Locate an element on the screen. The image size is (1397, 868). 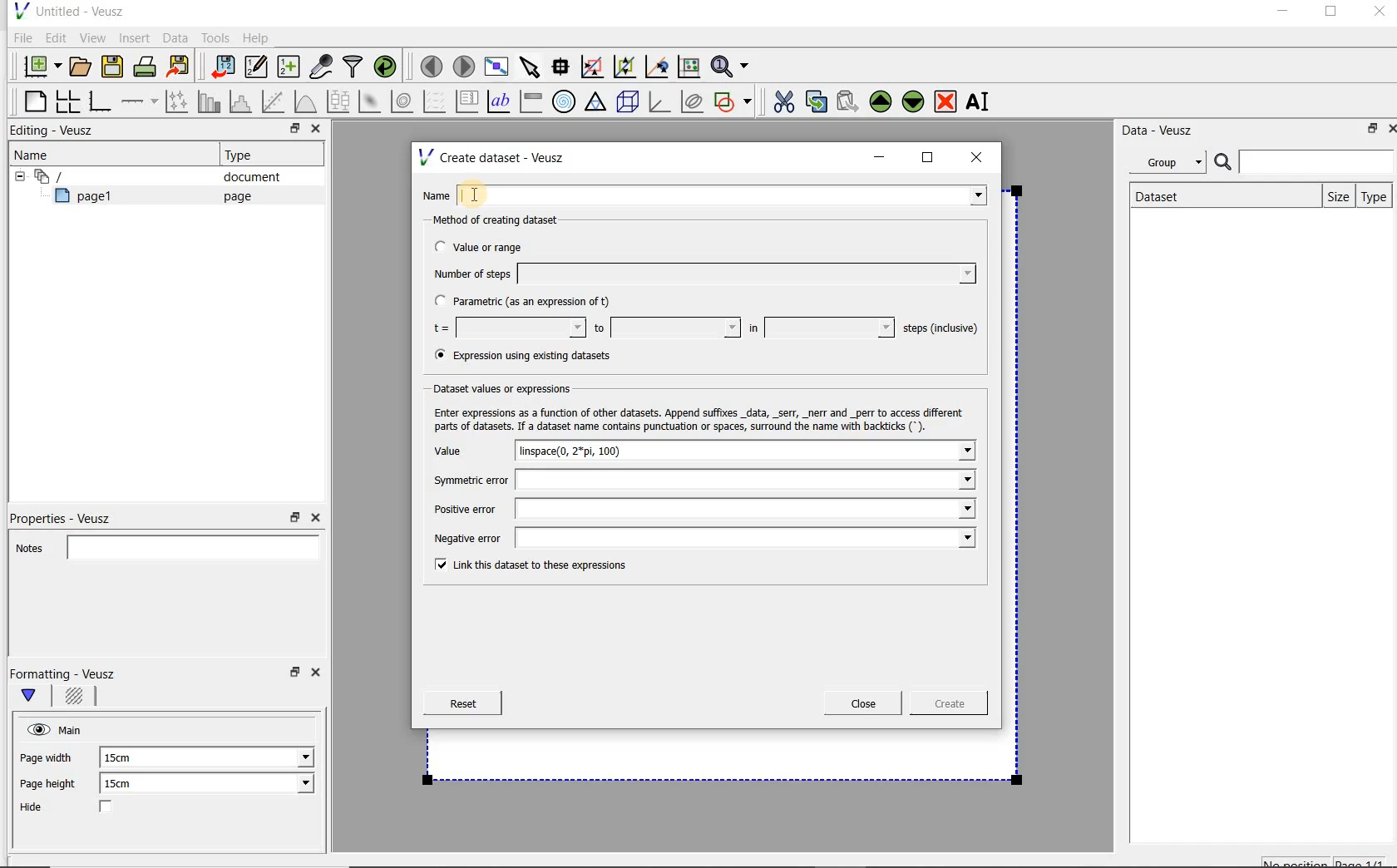
plot box plots is located at coordinates (338, 102).